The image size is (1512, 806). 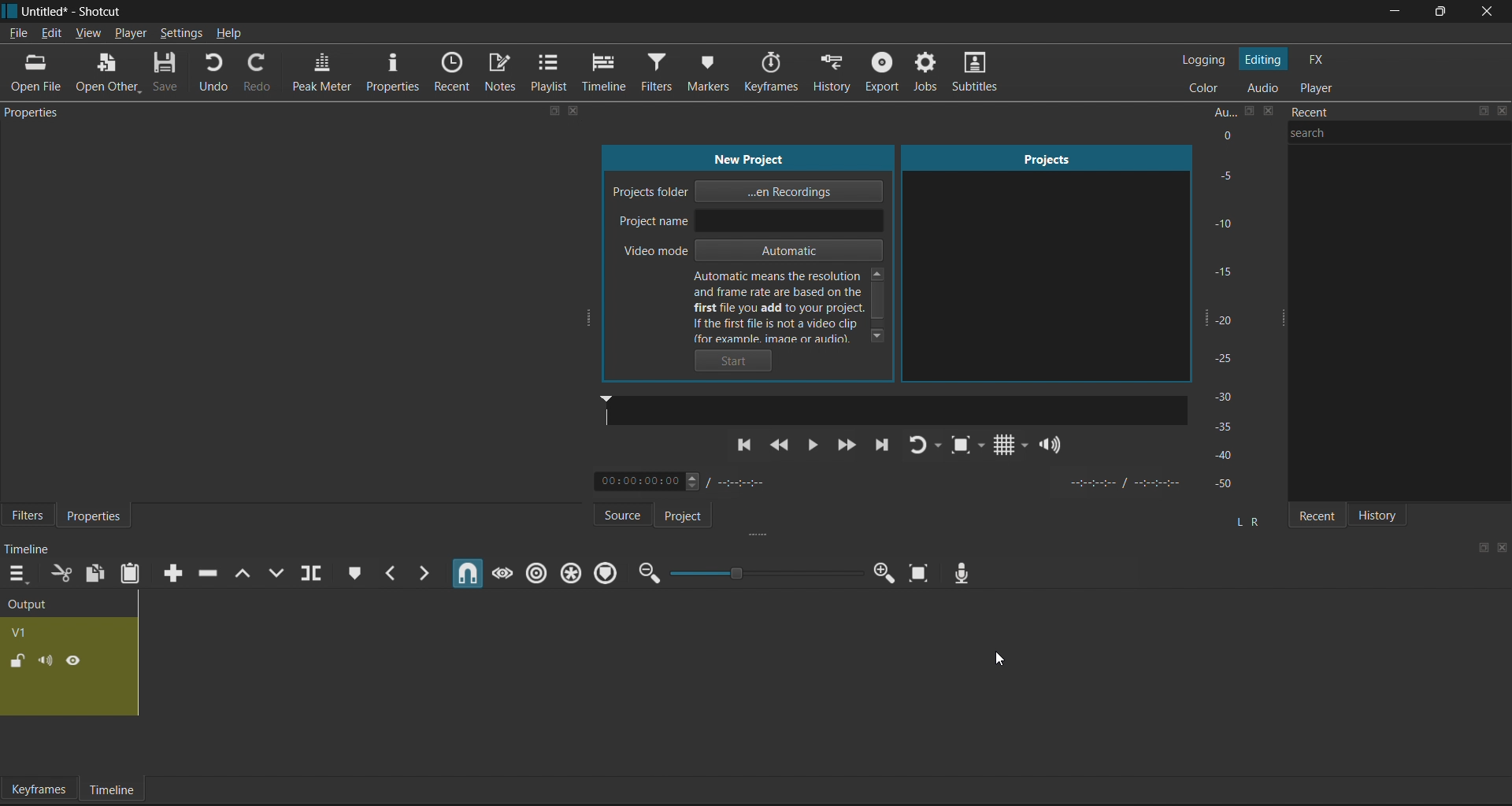 I want to click on Video mode, so click(x=748, y=252).